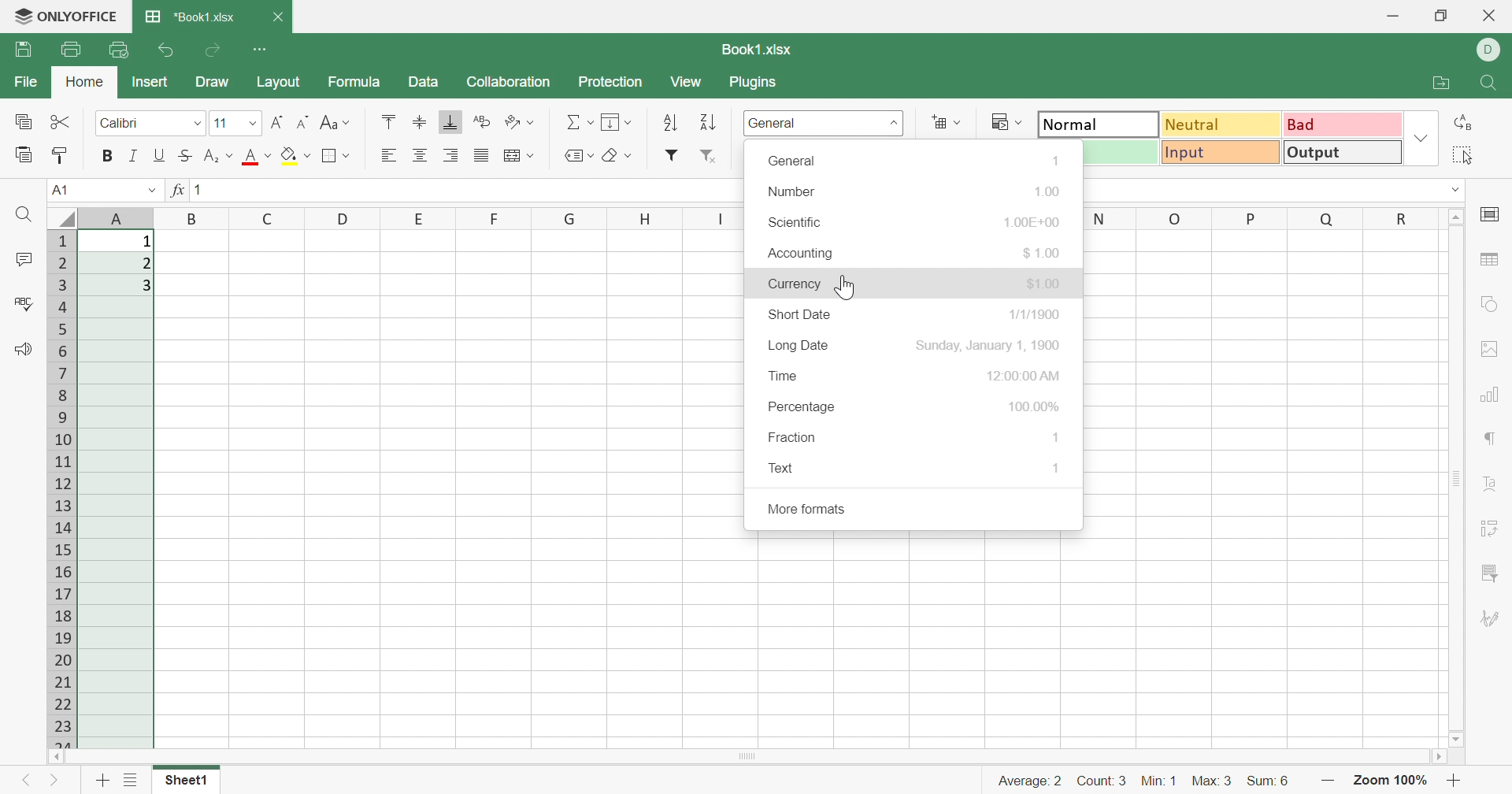 The height and width of the screenshot is (794, 1512). Describe the element at coordinates (1488, 259) in the screenshot. I see `Table settings` at that location.